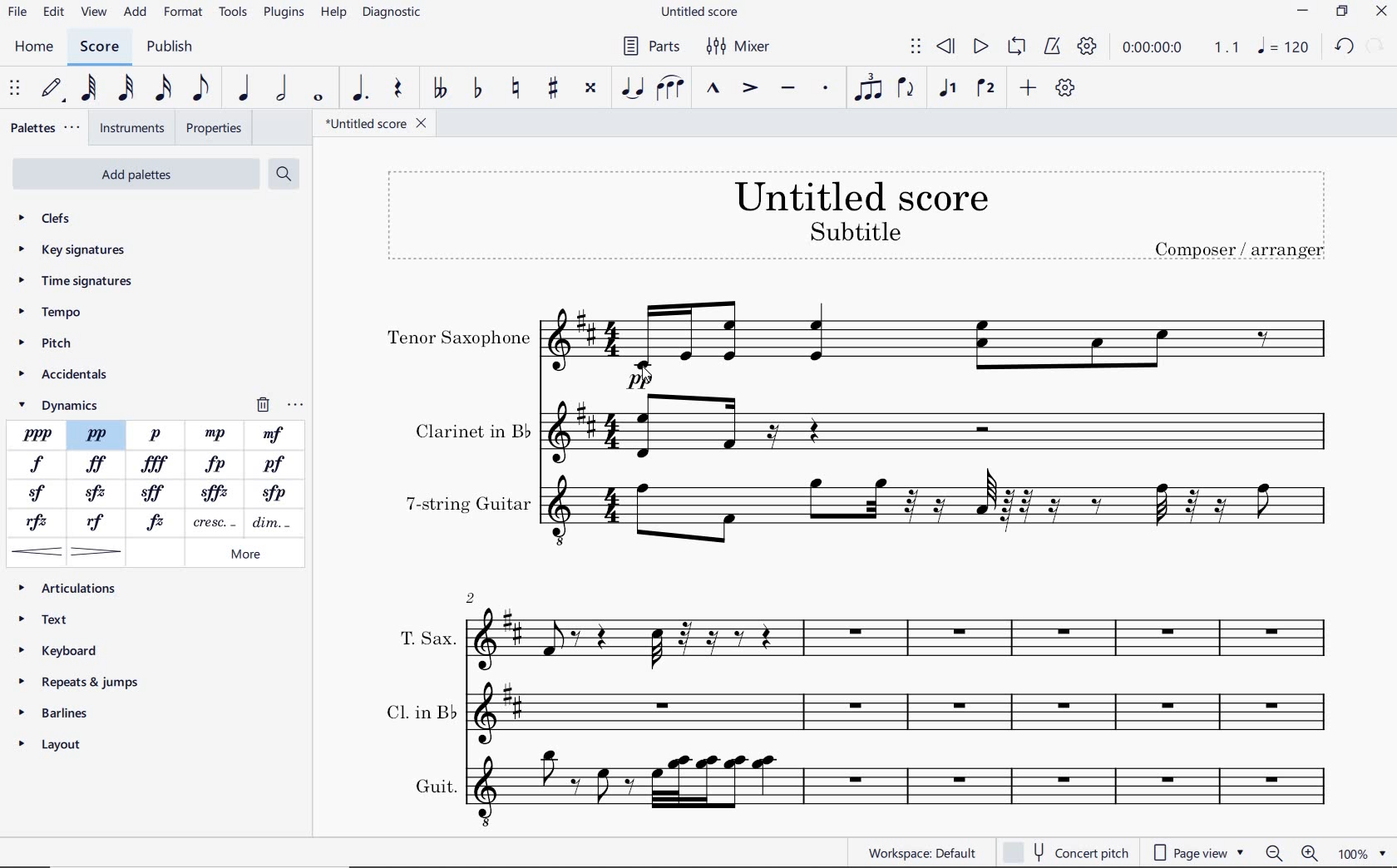 The image size is (1397, 868). I want to click on Guit., so click(914, 790).